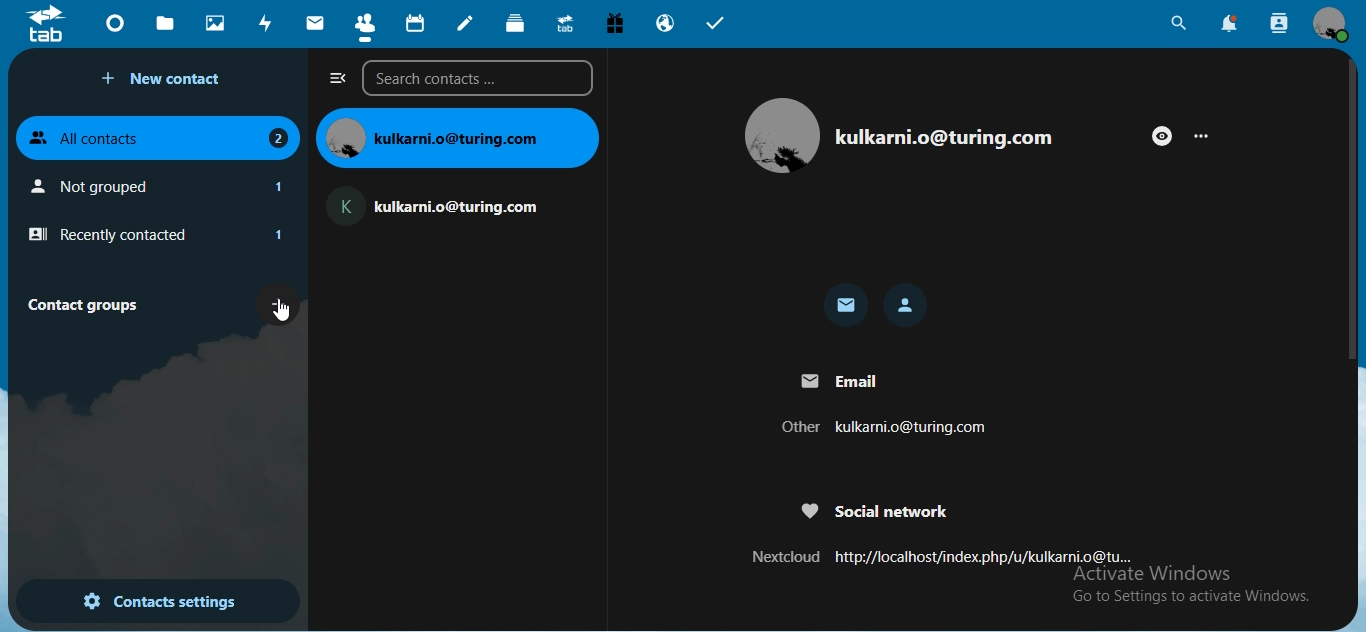 This screenshot has width=1366, height=632. I want to click on scrollbar, so click(1354, 209).